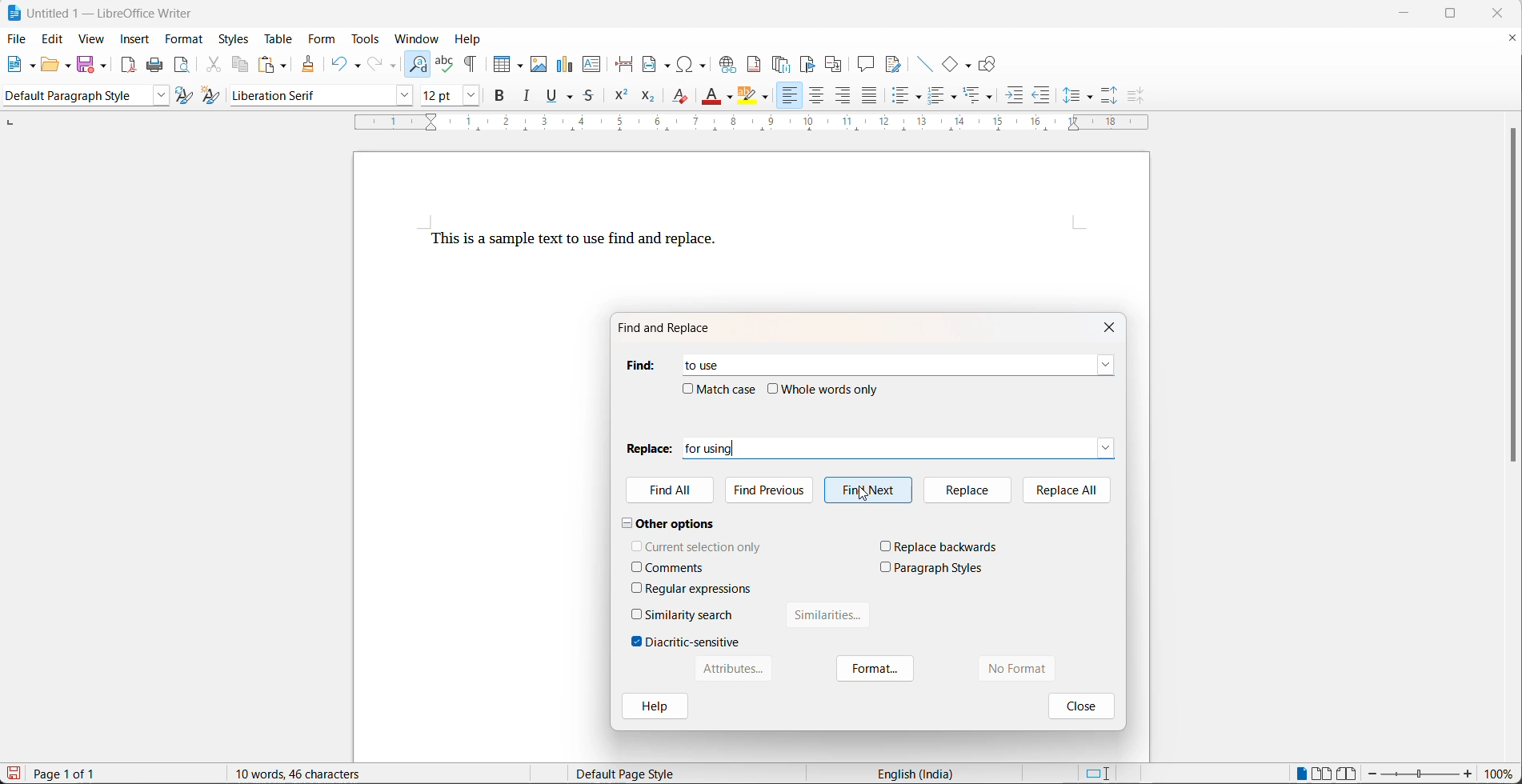 The width and height of the screenshot is (1522, 784). I want to click on zoom slider, so click(1420, 774).